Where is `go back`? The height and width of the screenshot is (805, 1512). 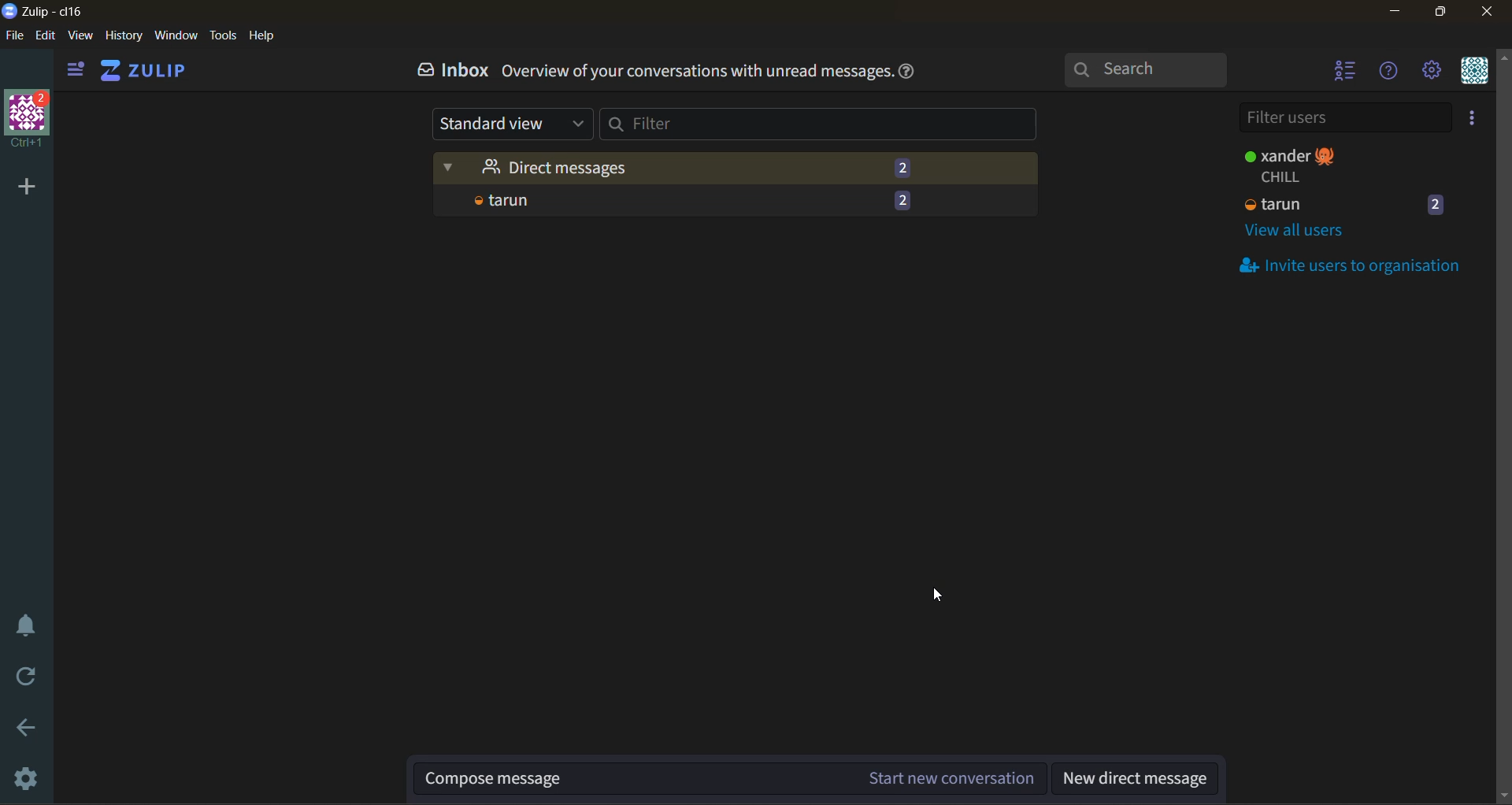
go back is located at coordinates (26, 730).